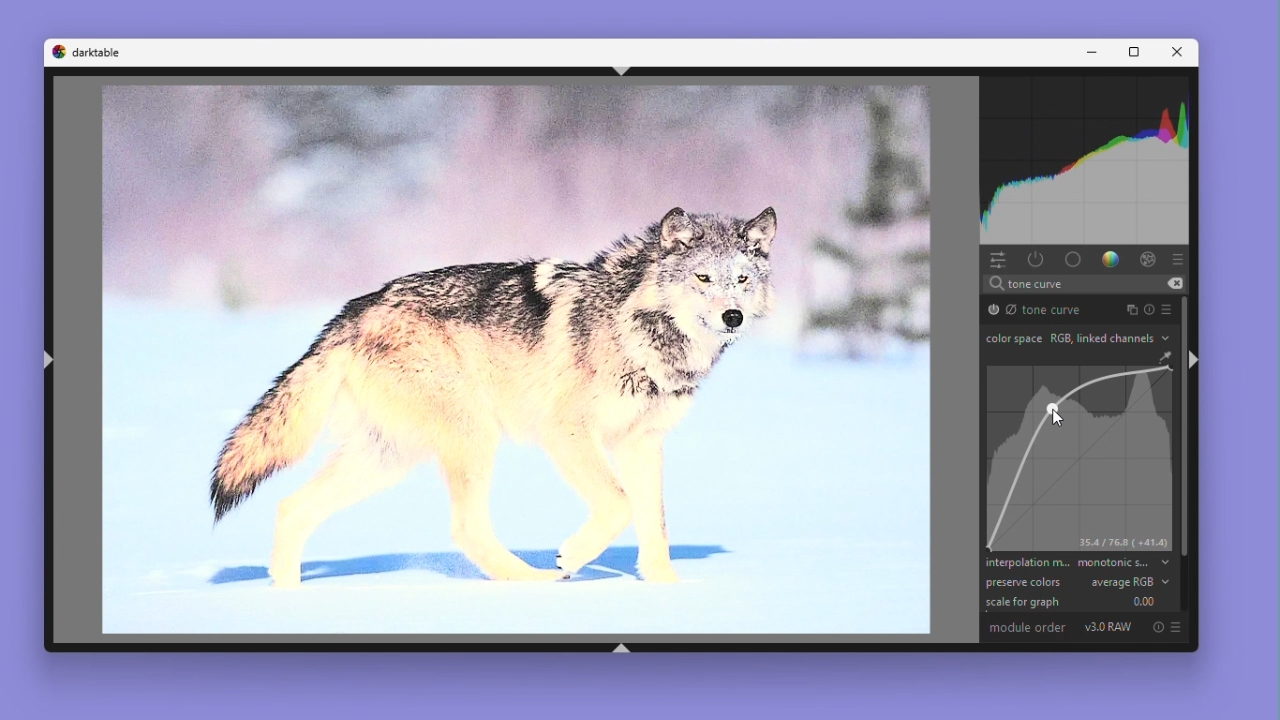  I want to click on Effect, so click(1145, 260).